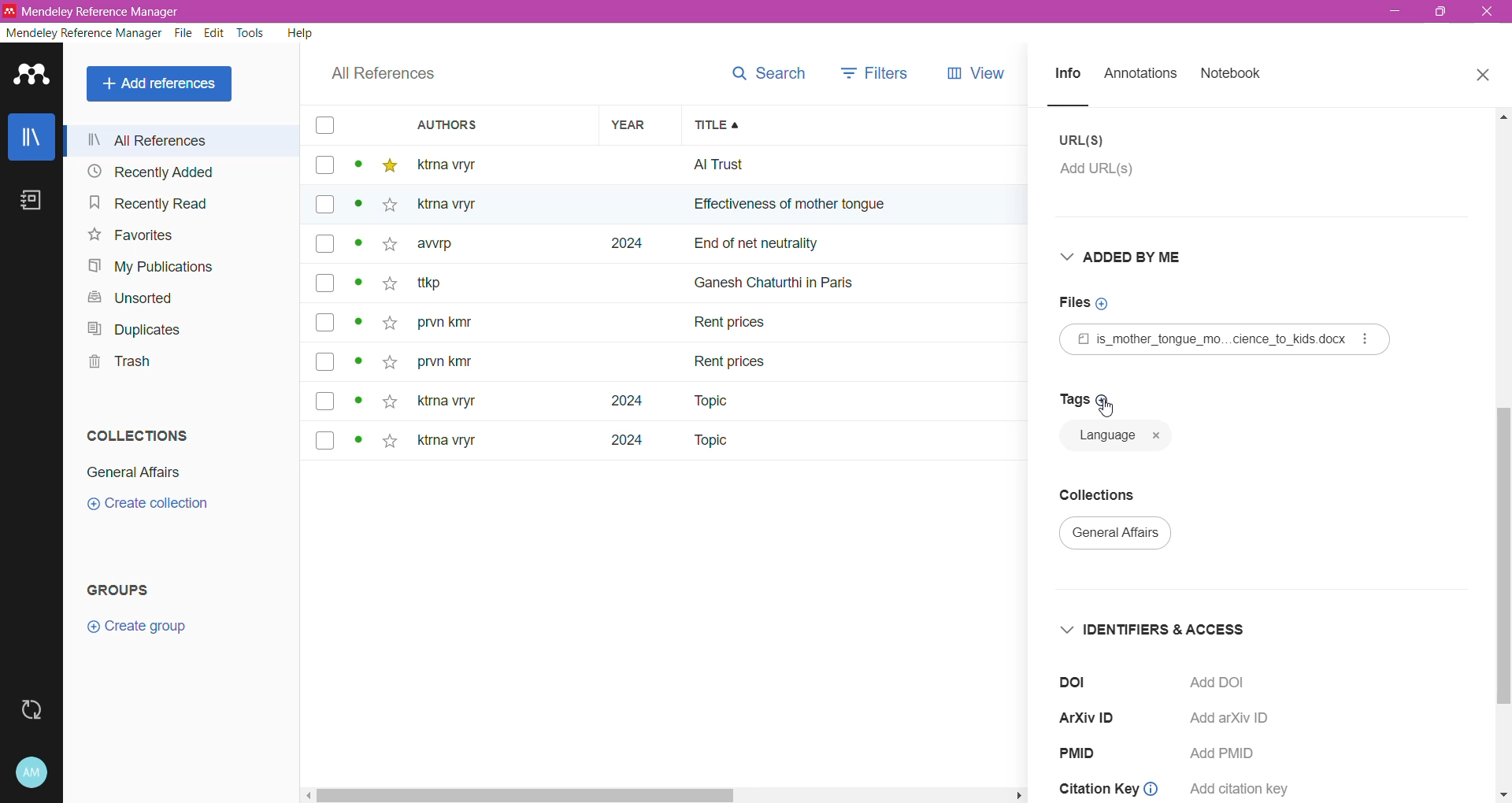  I want to click on Collections, so click(139, 435).